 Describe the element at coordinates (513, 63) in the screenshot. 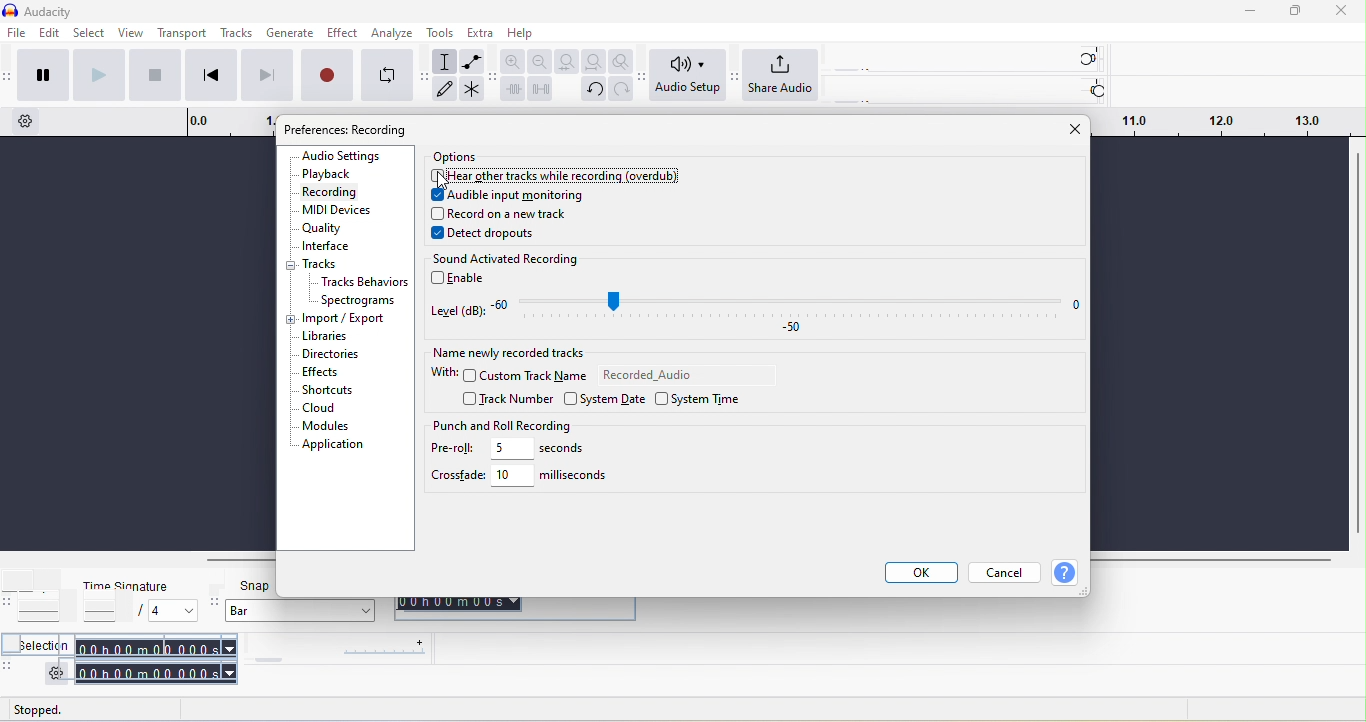

I see `zoom in` at that location.